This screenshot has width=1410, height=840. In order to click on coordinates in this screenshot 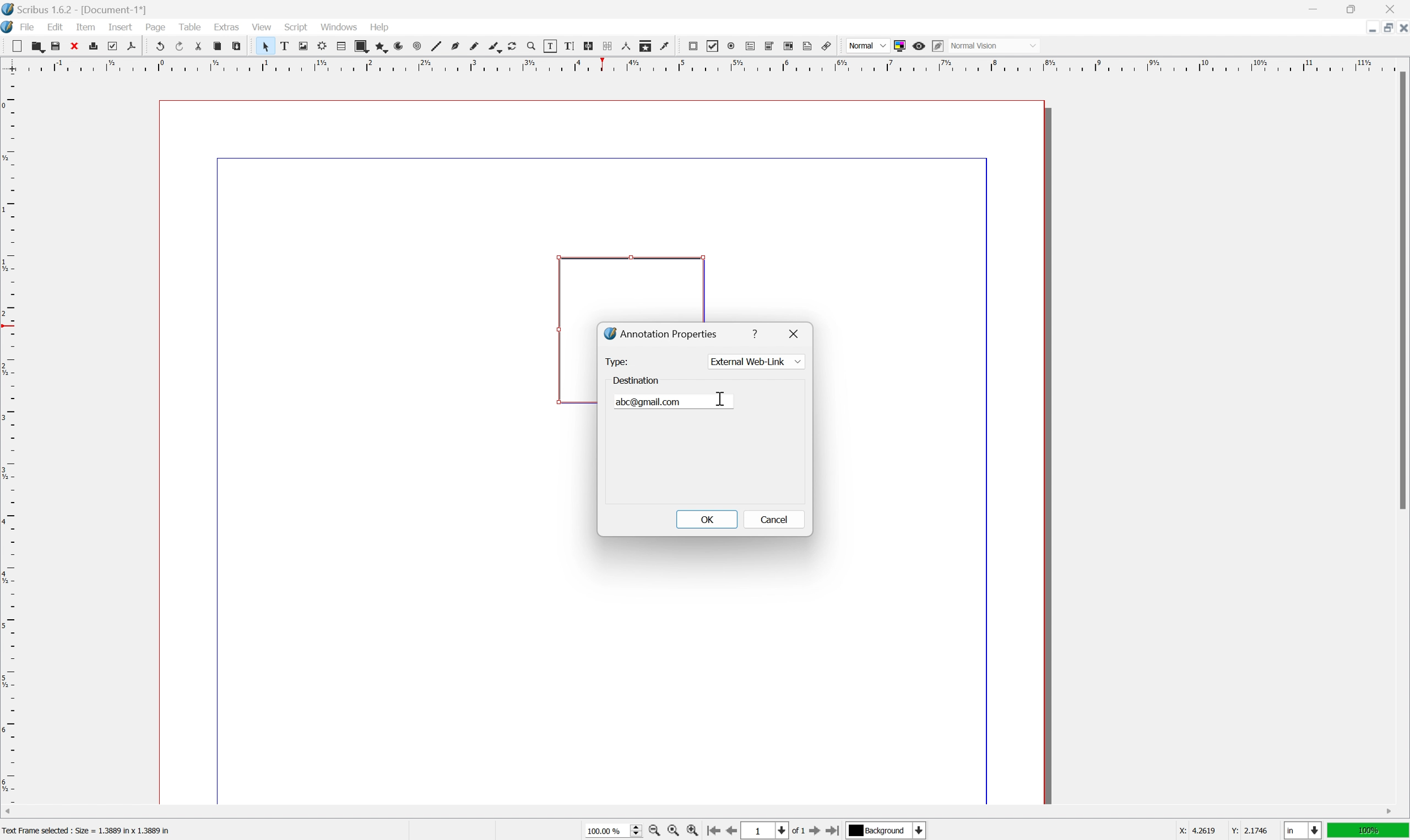, I will do `click(1225, 831)`.